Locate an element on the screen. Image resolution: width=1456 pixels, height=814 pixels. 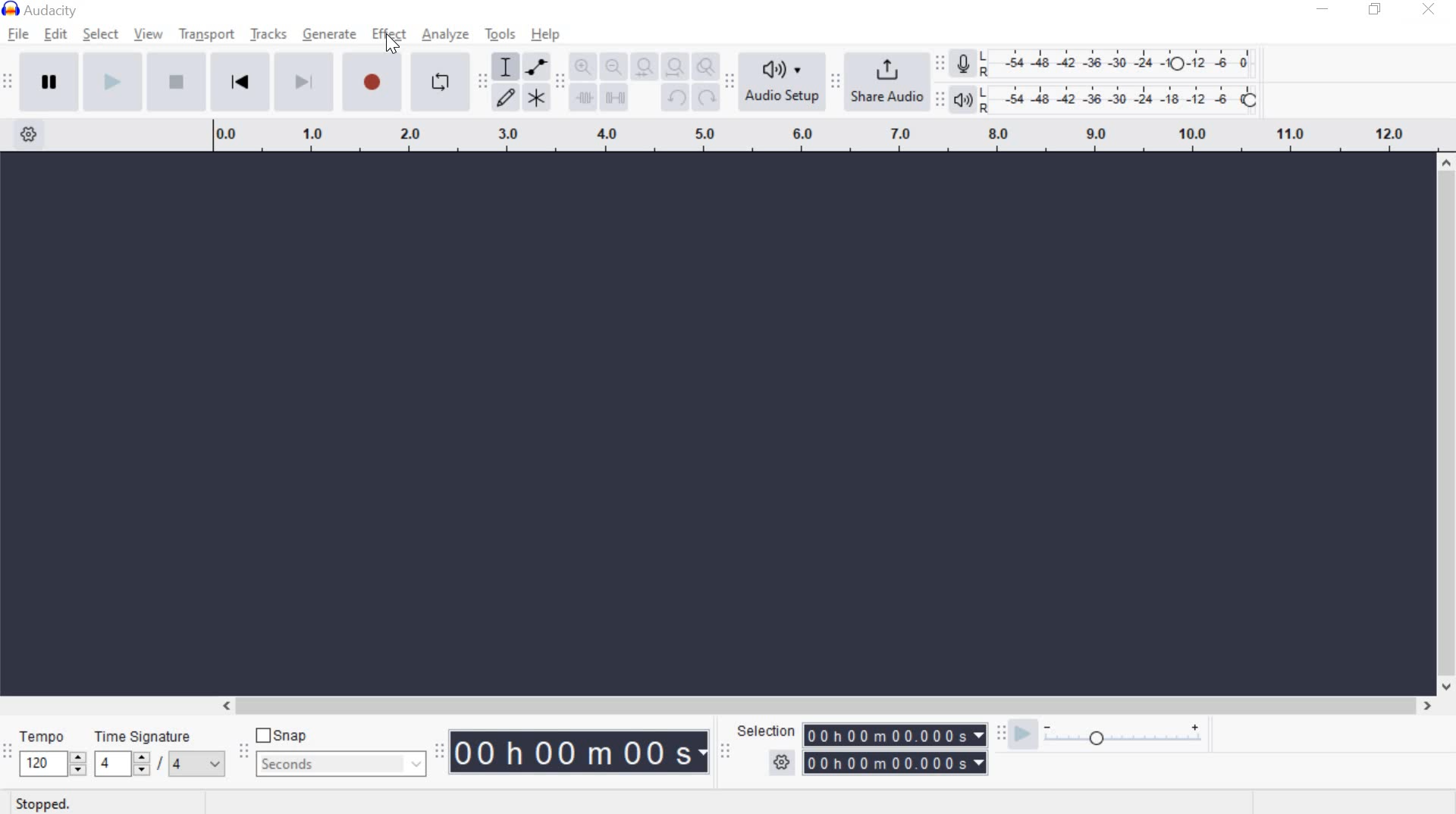
Enable Looping is located at coordinates (437, 83).